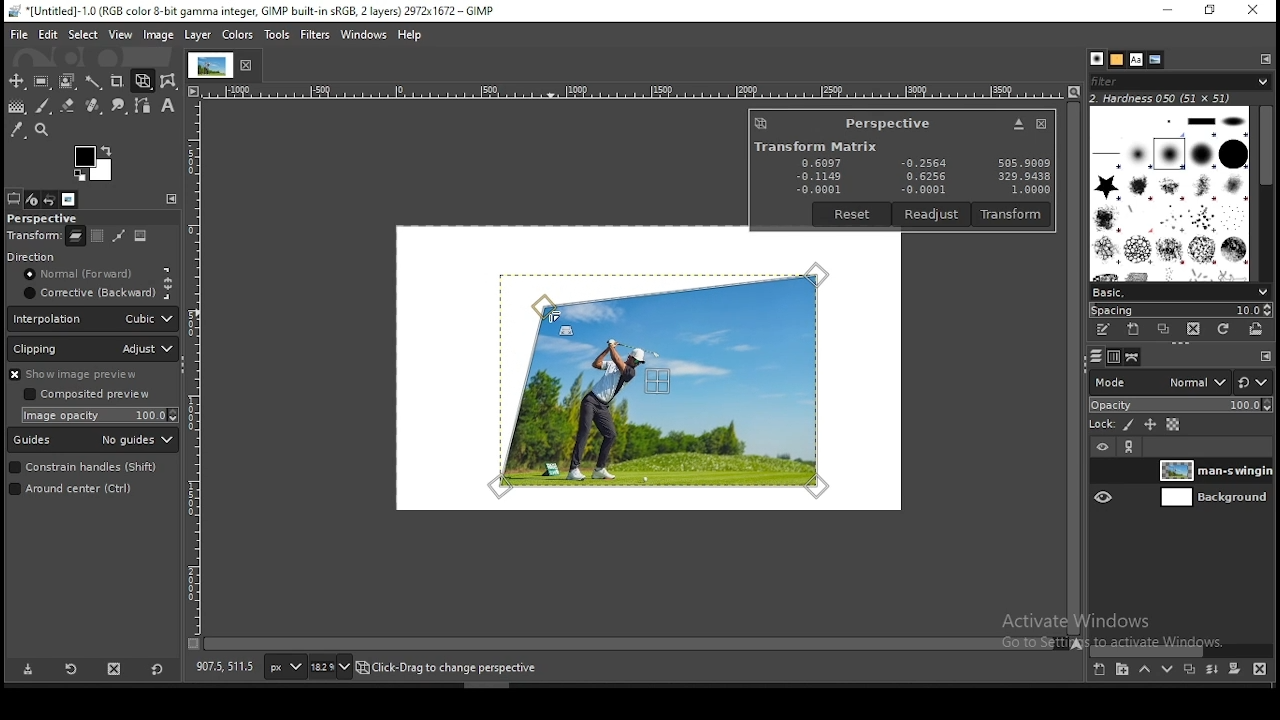 This screenshot has width=1280, height=720. Describe the element at coordinates (1148, 425) in the screenshot. I see `lock size and position` at that location.